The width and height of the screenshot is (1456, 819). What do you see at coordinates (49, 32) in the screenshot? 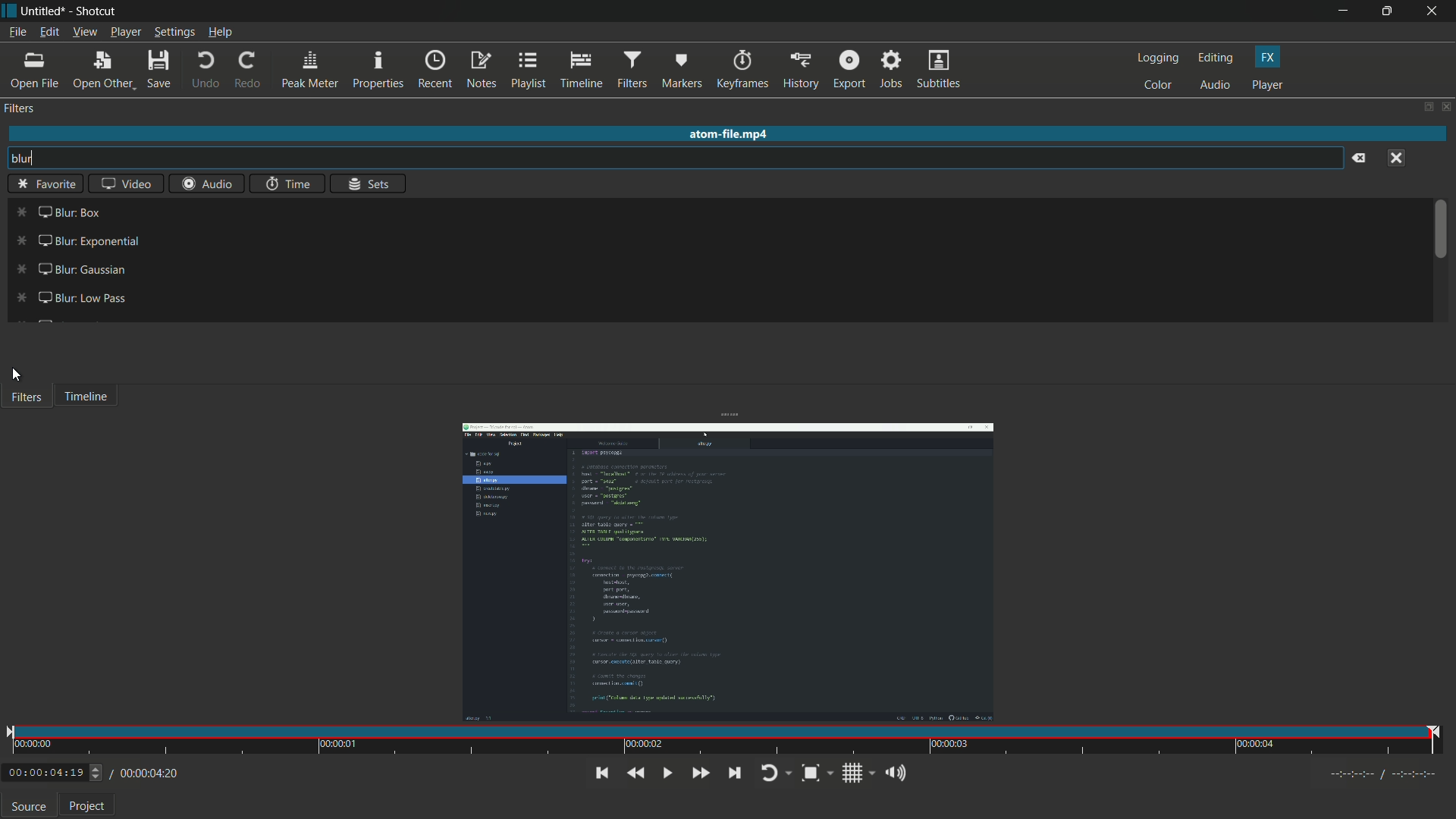
I see `edit menu` at bounding box center [49, 32].